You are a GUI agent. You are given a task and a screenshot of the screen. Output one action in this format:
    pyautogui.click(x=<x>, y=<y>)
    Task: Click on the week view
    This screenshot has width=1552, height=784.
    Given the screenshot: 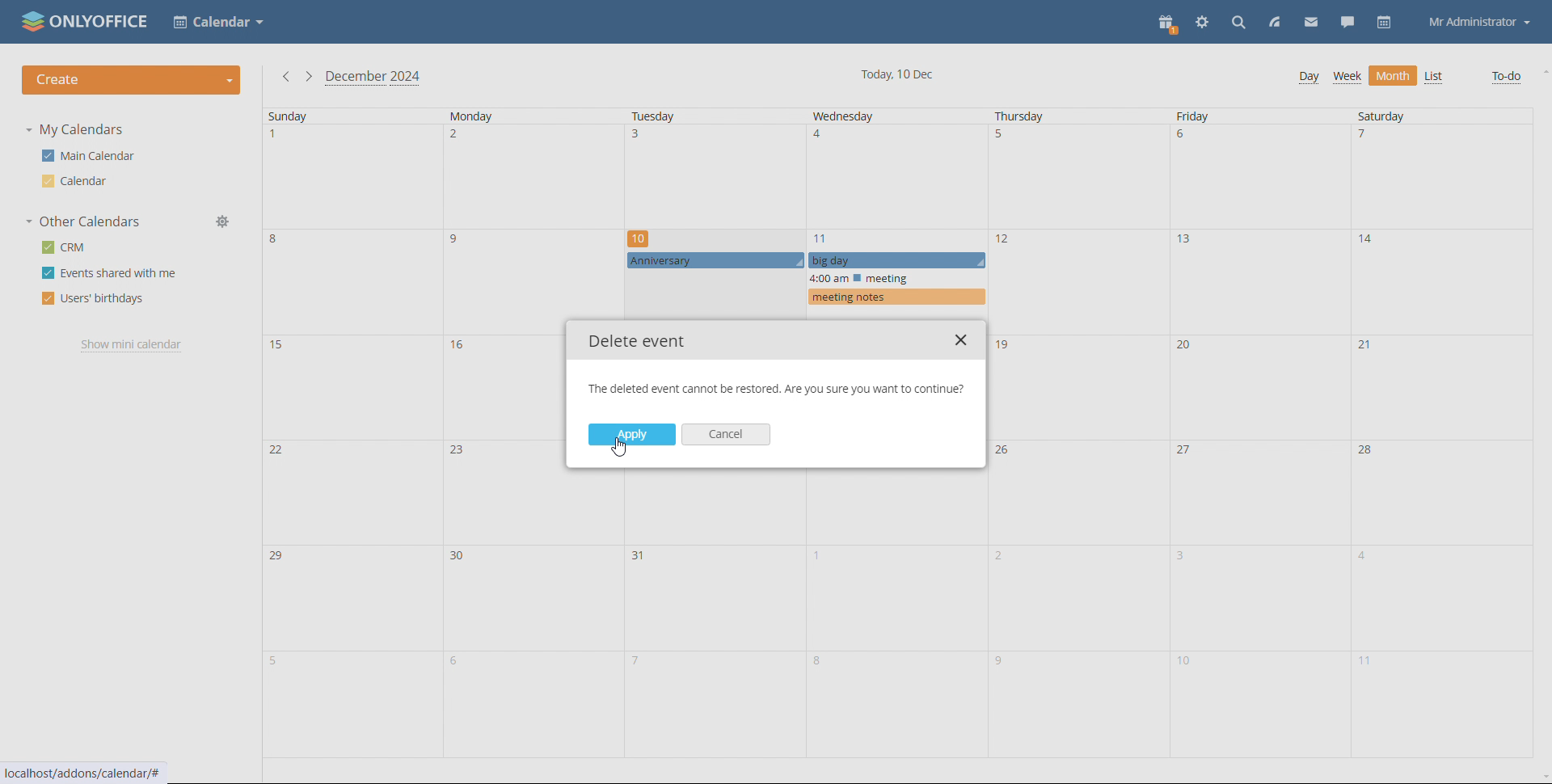 What is the action you would take?
    pyautogui.click(x=1347, y=77)
    